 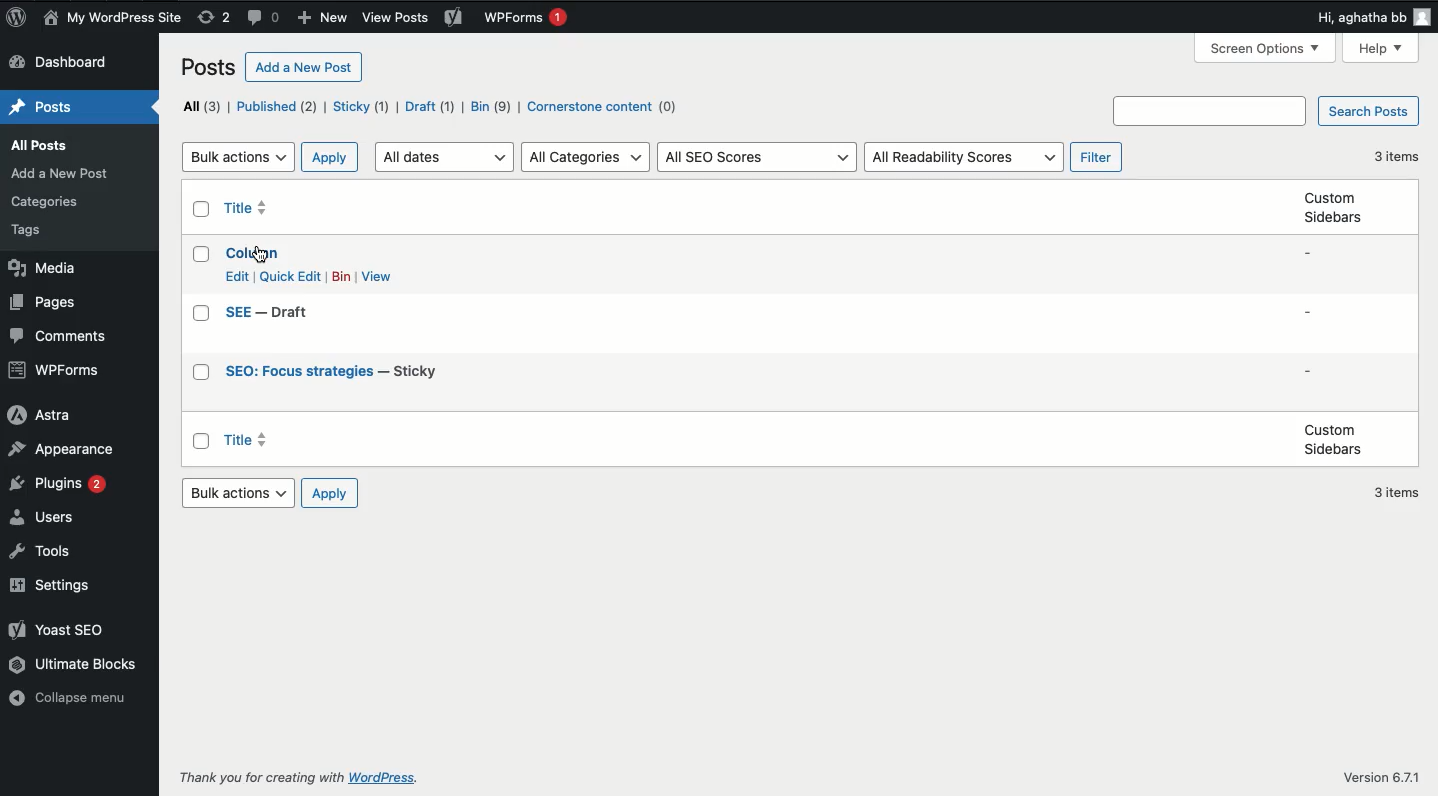 What do you see at coordinates (64, 450) in the screenshot?
I see `Appearance ` at bounding box center [64, 450].